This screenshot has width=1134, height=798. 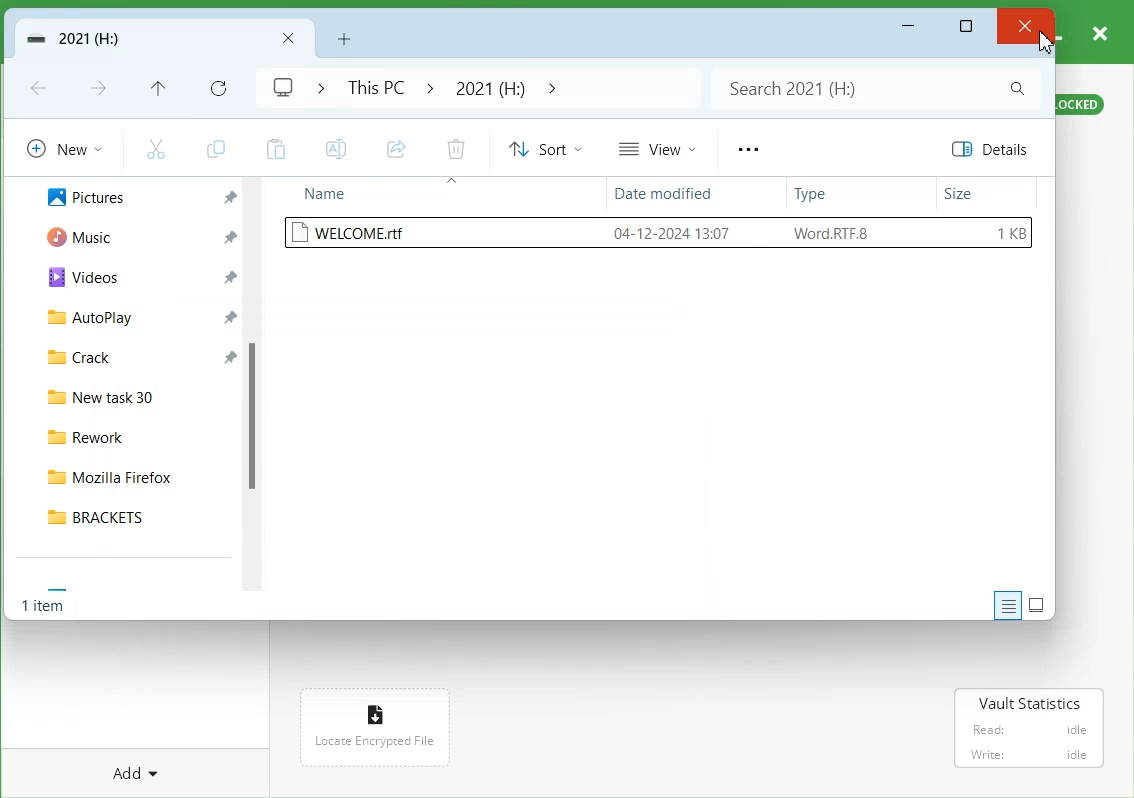 I want to click on Read: idle, so click(x=1028, y=730).